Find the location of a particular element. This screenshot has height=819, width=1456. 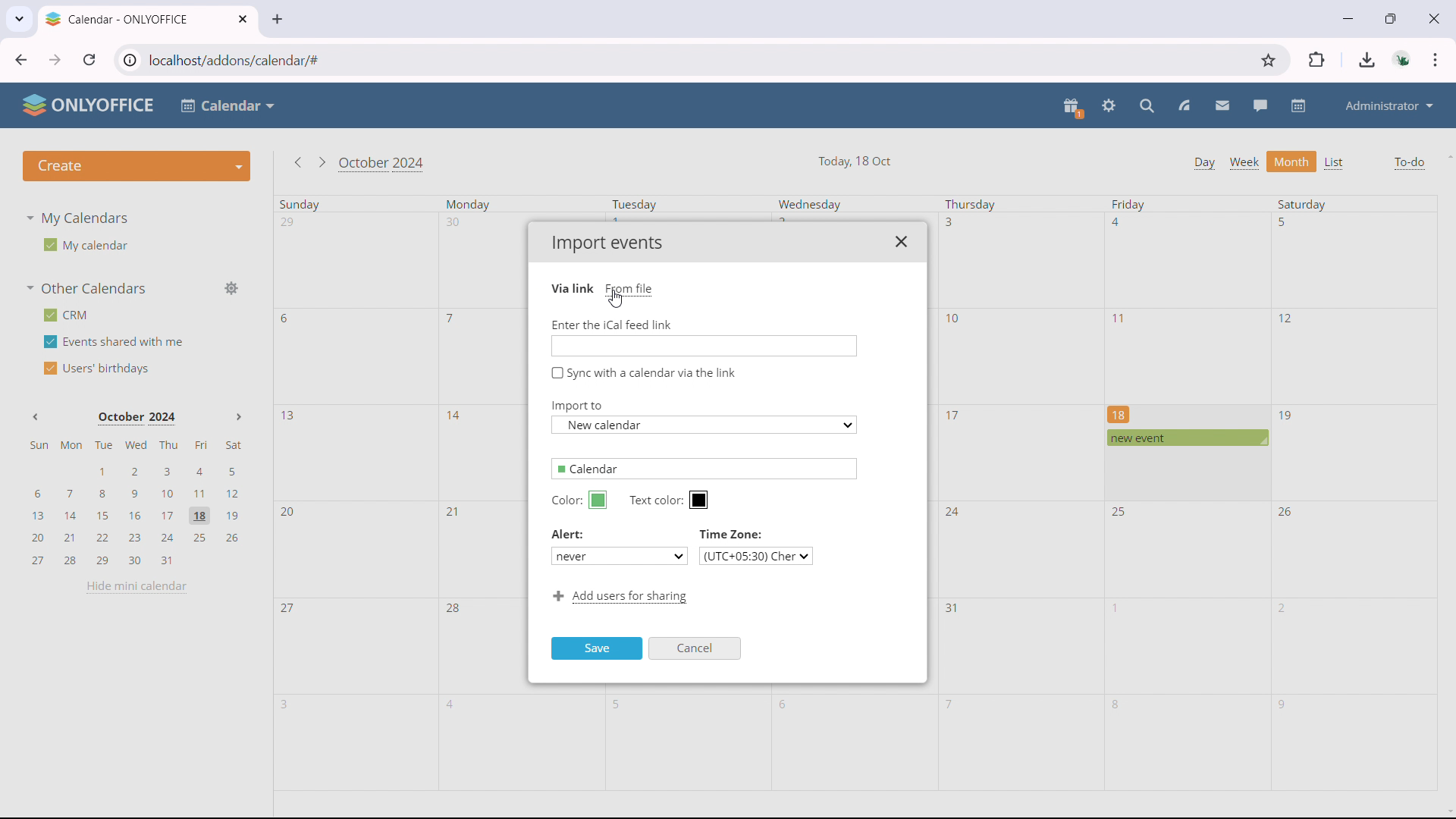

talk is located at coordinates (1260, 105).